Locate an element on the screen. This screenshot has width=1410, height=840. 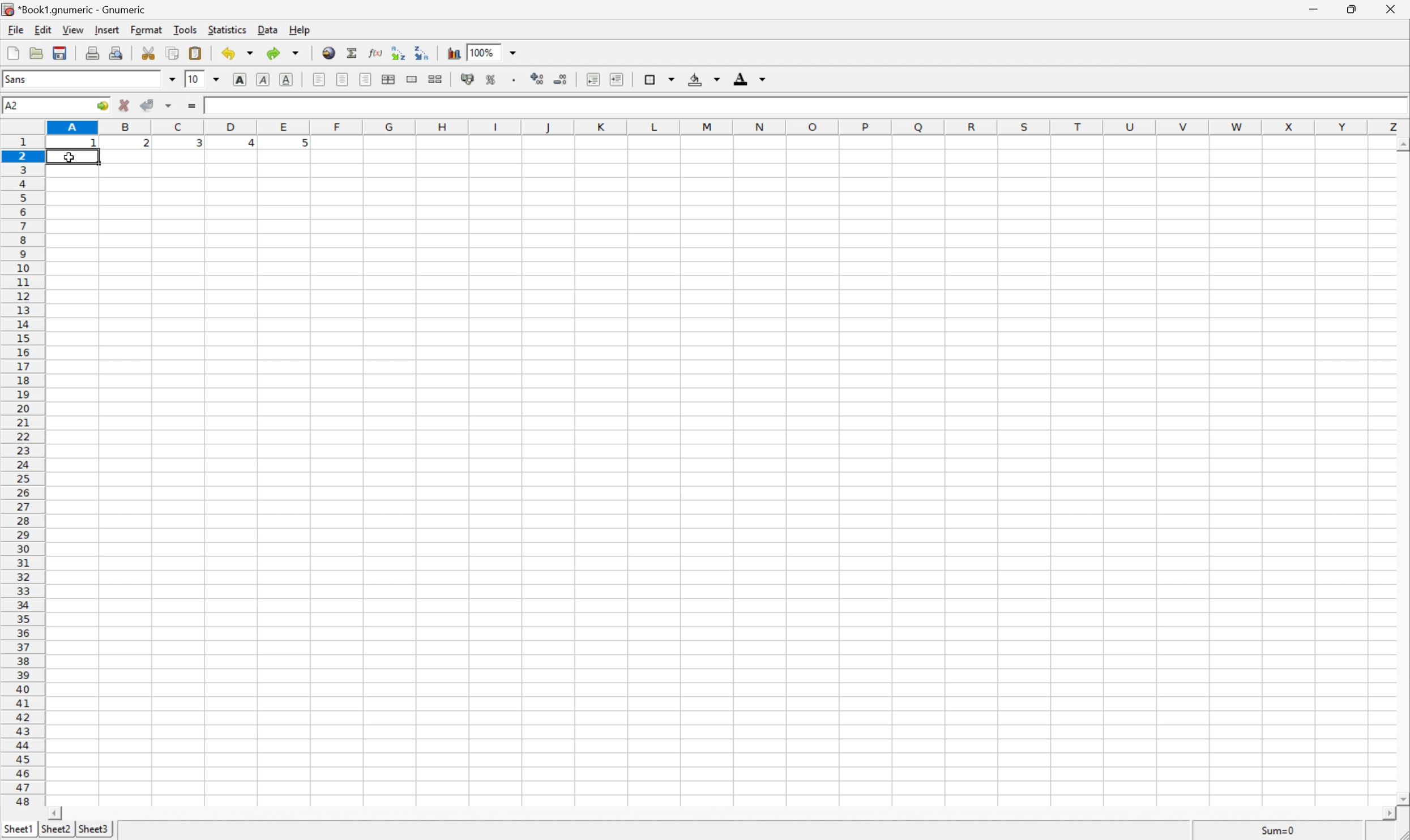
decrease indent is located at coordinates (593, 80).